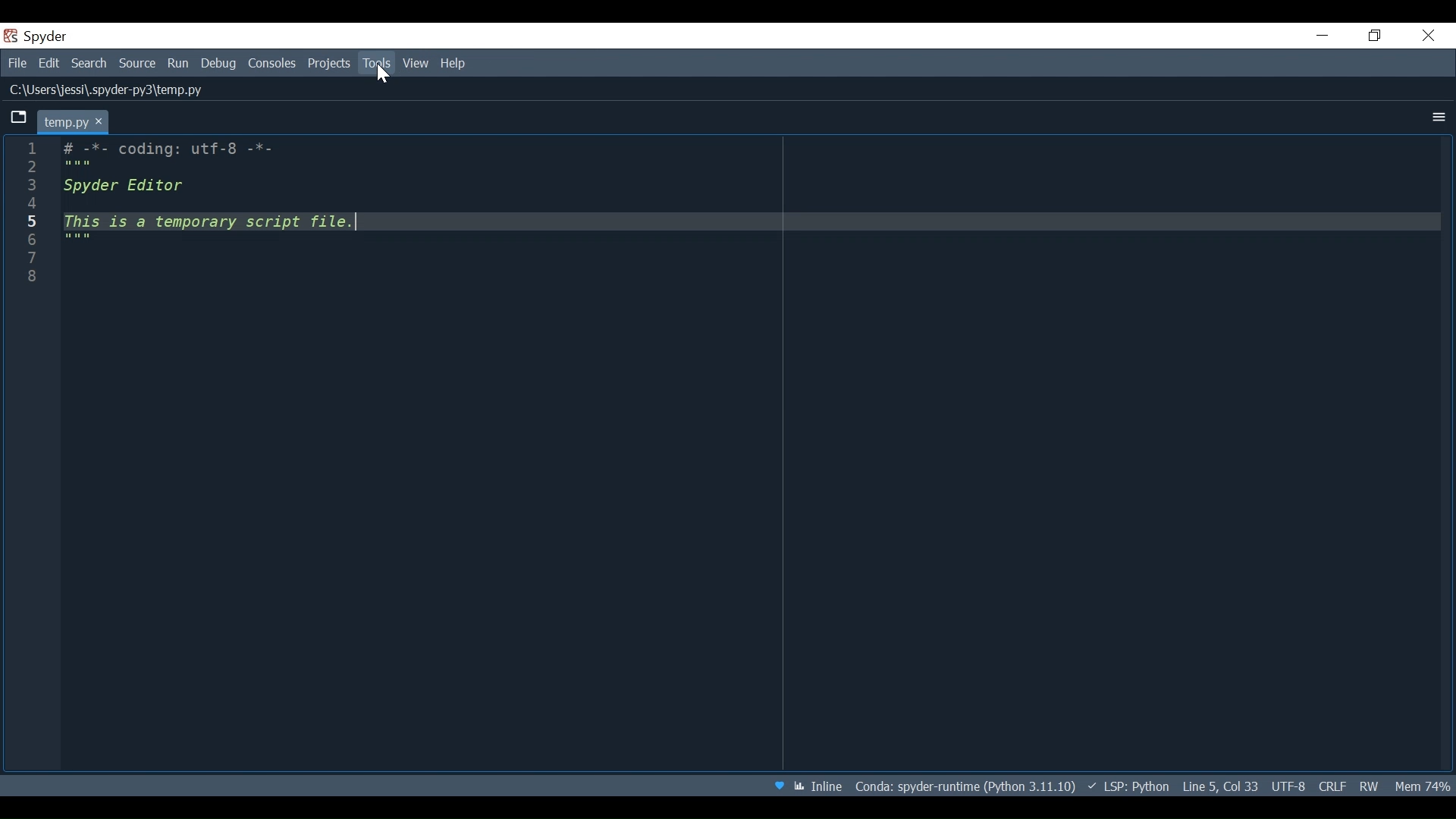 The image size is (1456, 819). Describe the element at coordinates (35, 37) in the screenshot. I see `Spyder Desktop Icon` at that location.